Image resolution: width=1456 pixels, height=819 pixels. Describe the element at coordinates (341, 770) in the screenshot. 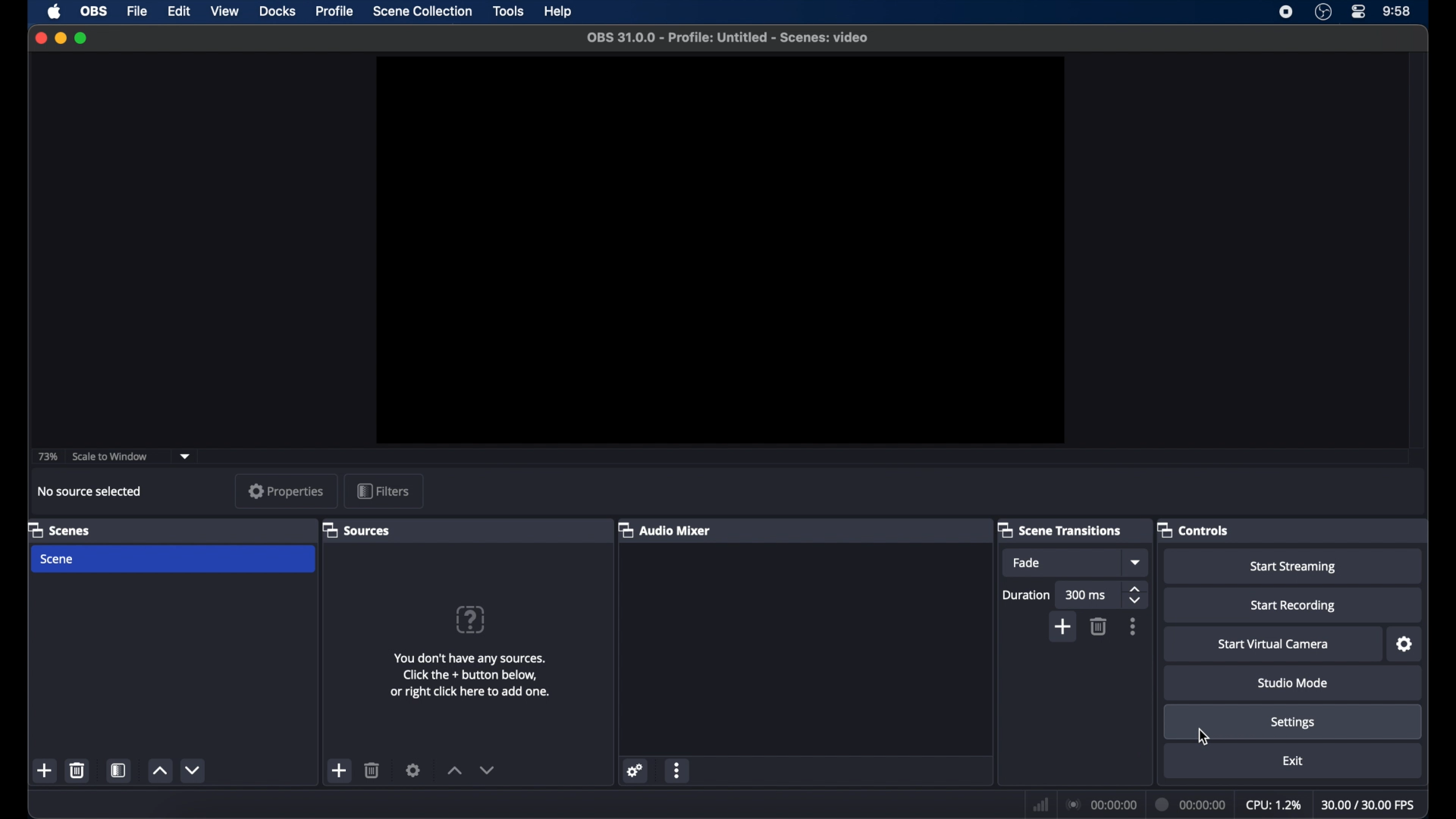

I see `add` at that location.